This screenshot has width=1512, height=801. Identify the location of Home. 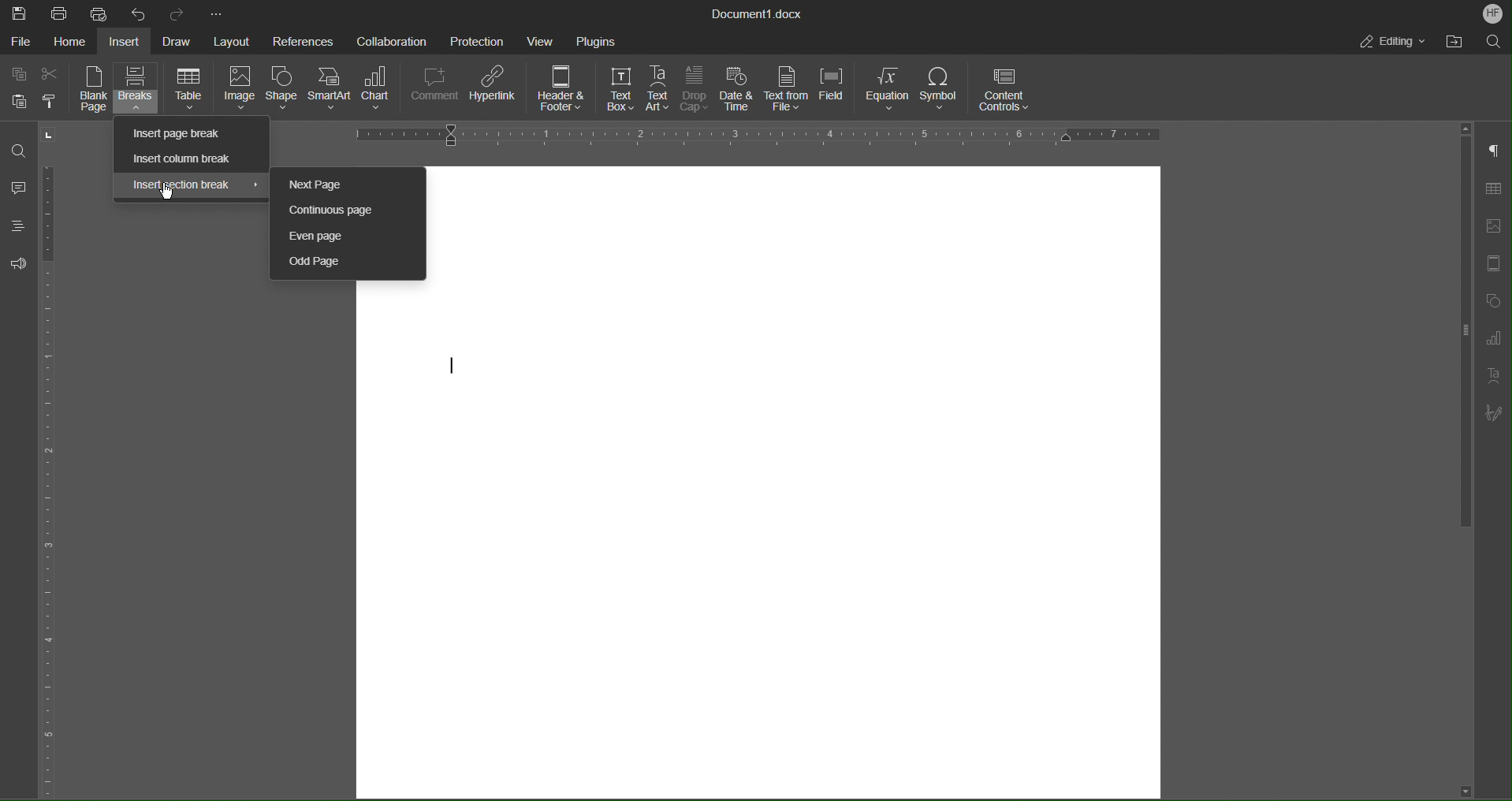
(69, 39).